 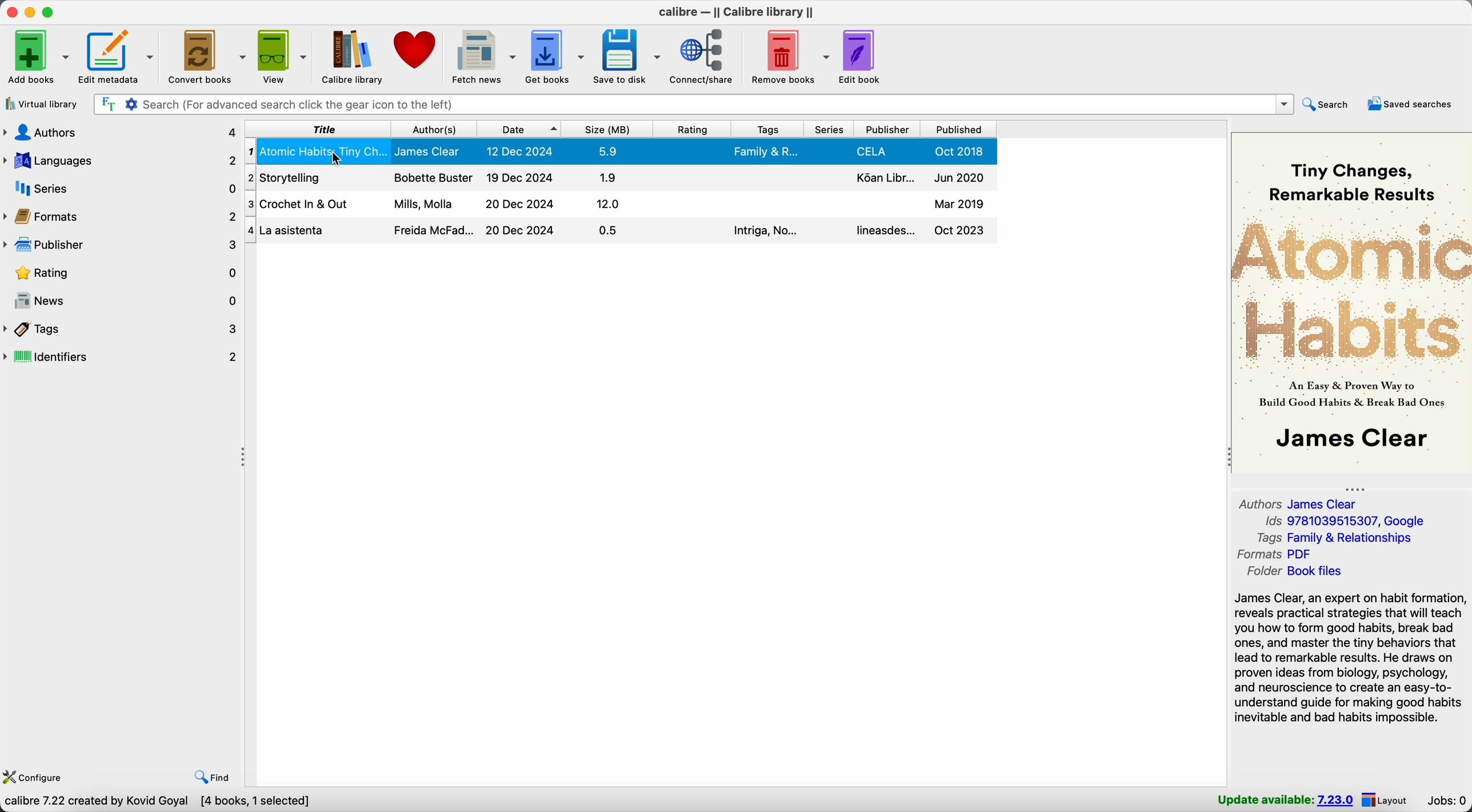 I want to click on remove books, so click(x=789, y=57).